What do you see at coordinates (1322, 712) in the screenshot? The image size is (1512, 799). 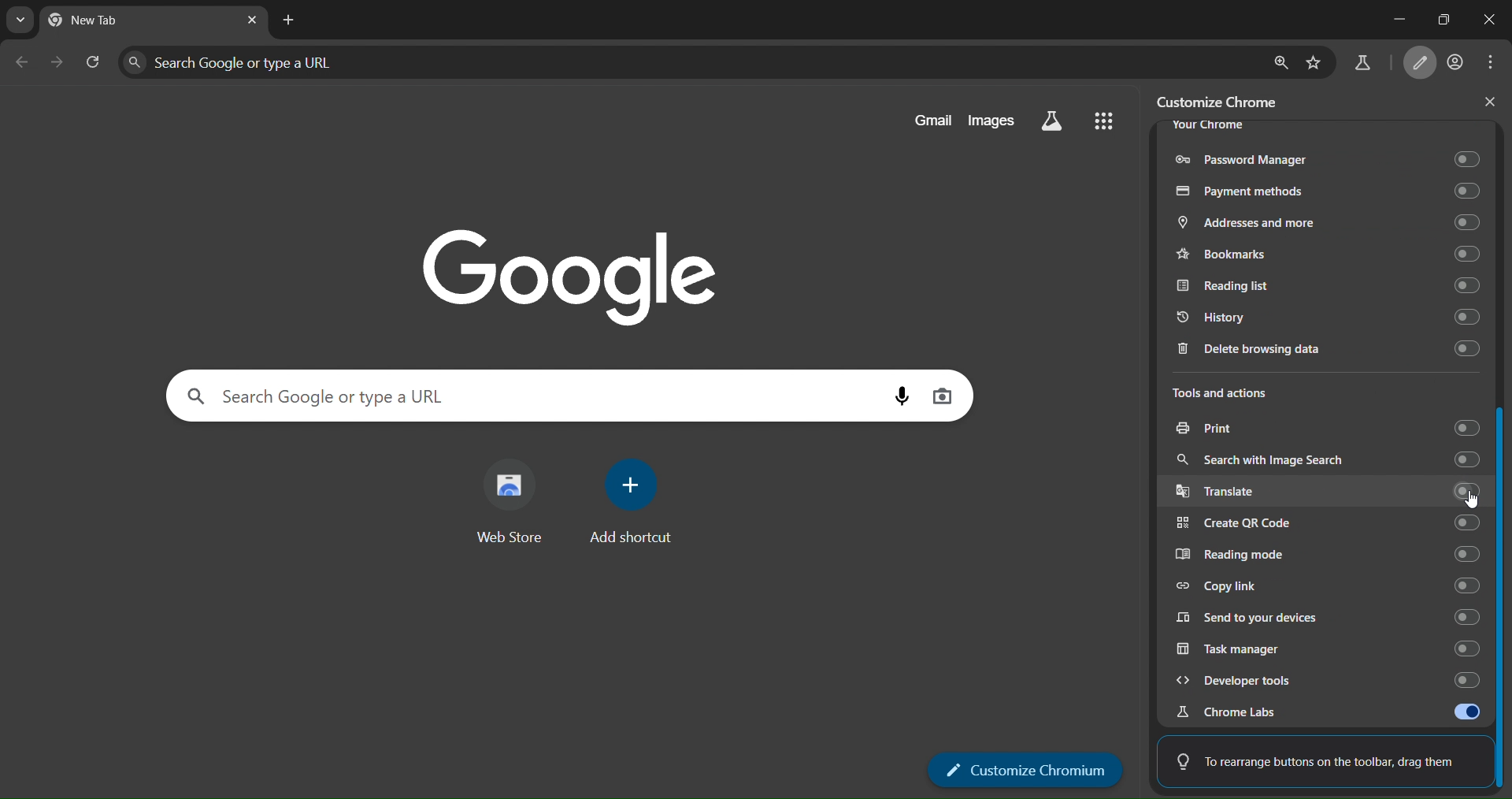 I see `chrome labs` at bounding box center [1322, 712].